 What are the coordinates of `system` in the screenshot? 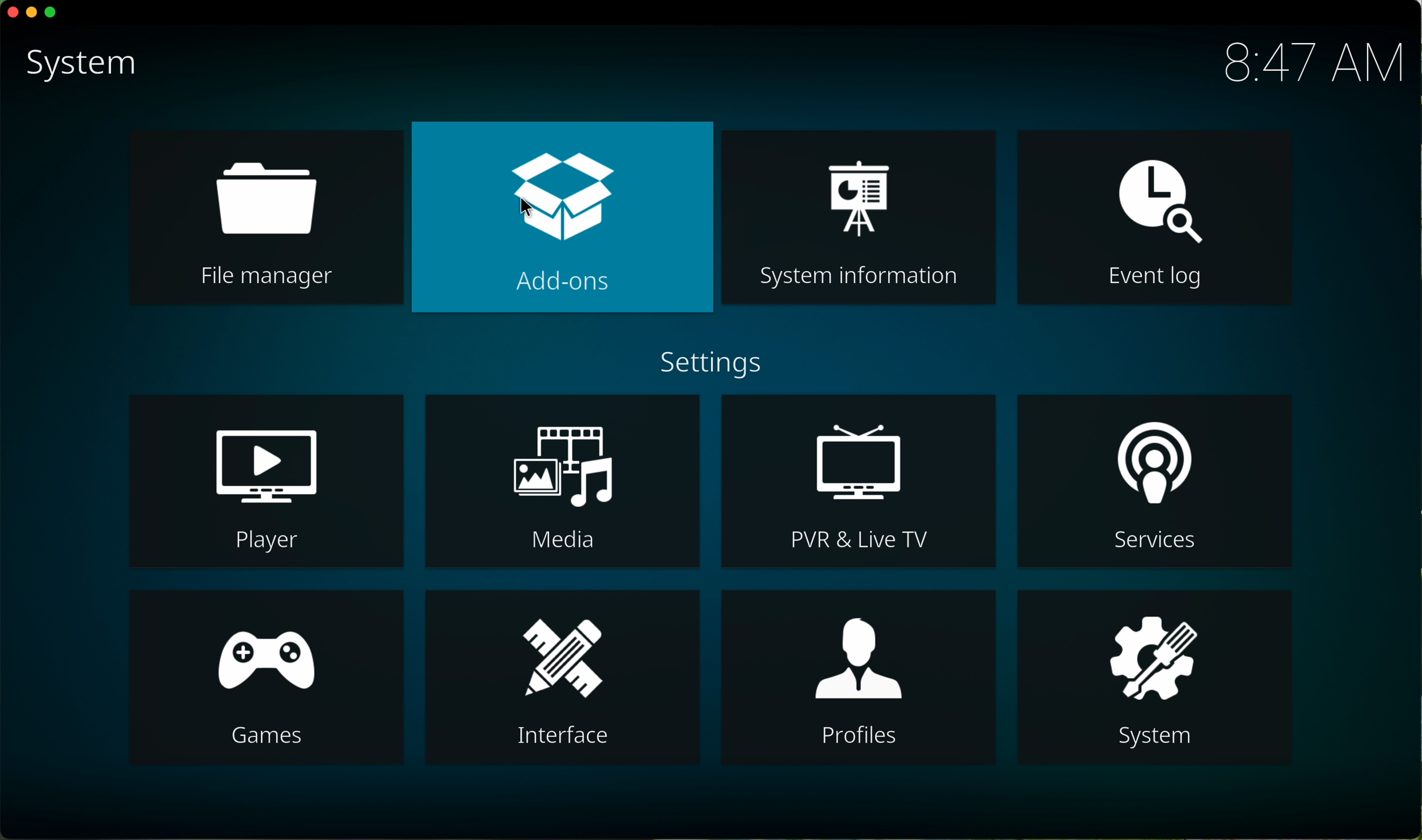 It's located at (79, 66).